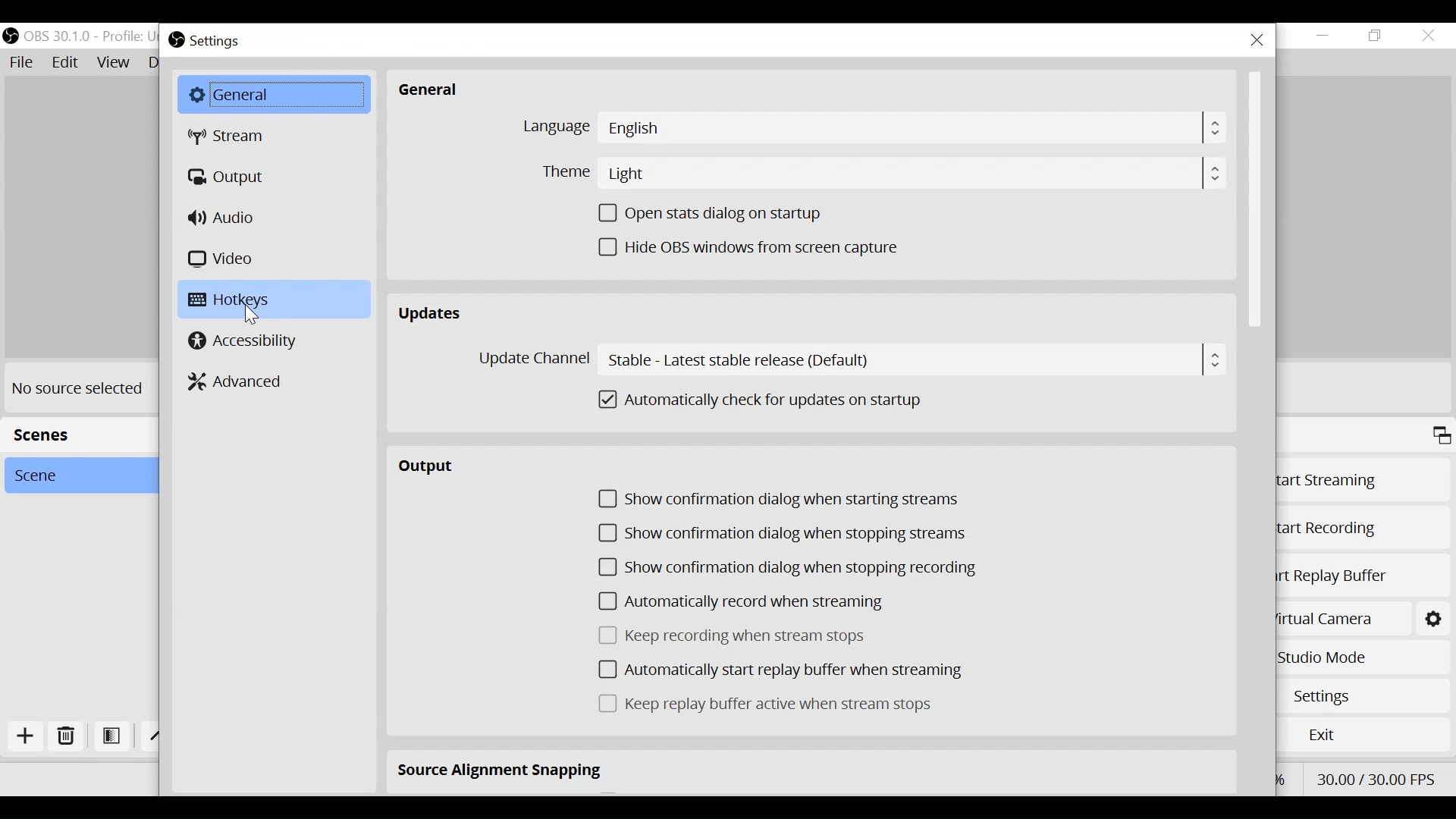 The width and height of the screenshot is (1456, 819). I want to click on Start Virtual Camera, so click(1339, 619).